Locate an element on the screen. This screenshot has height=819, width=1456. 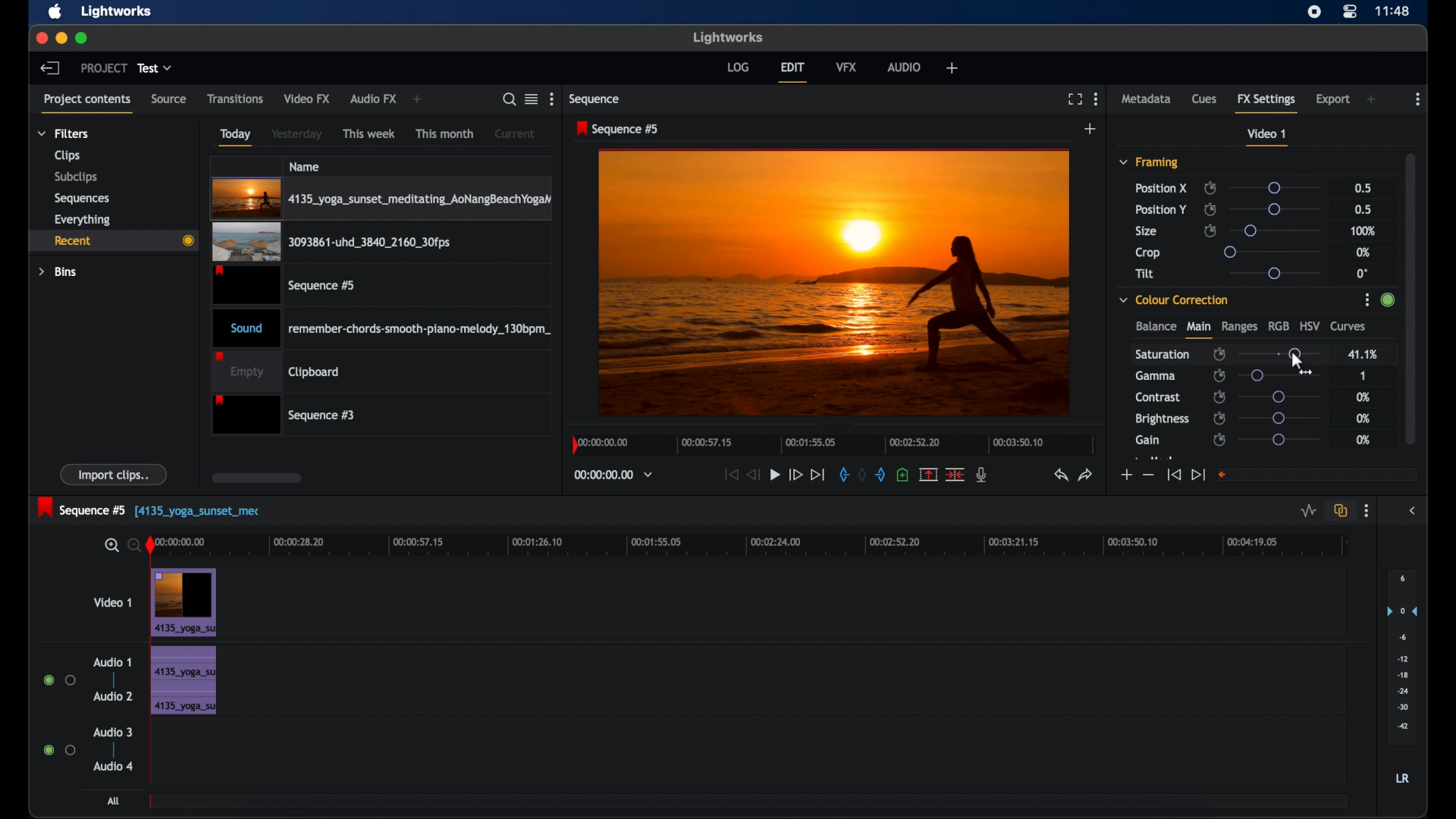
add is located at coordinates (1090, 129).